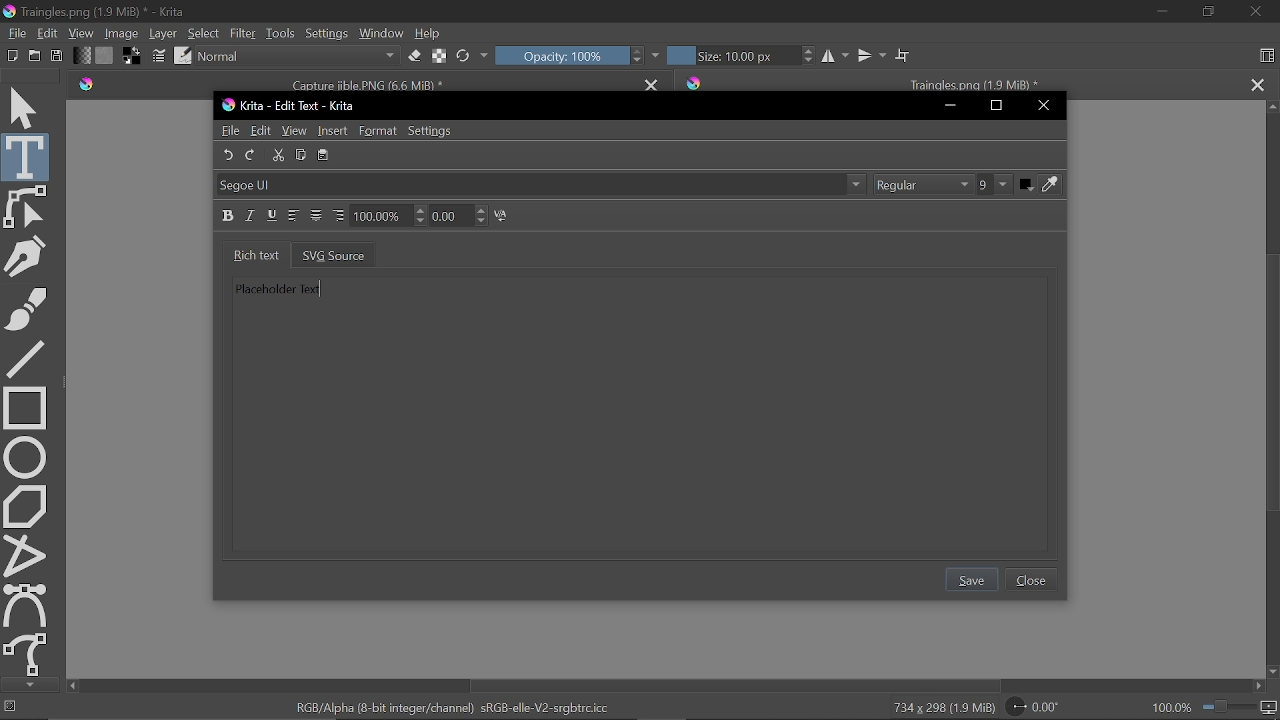 The width and height of the screenshot is (1280, 720). What do you see at coordinates (81, 56) in the screenshot?
I see `Fill gradient` at bounding box center [81, 56].